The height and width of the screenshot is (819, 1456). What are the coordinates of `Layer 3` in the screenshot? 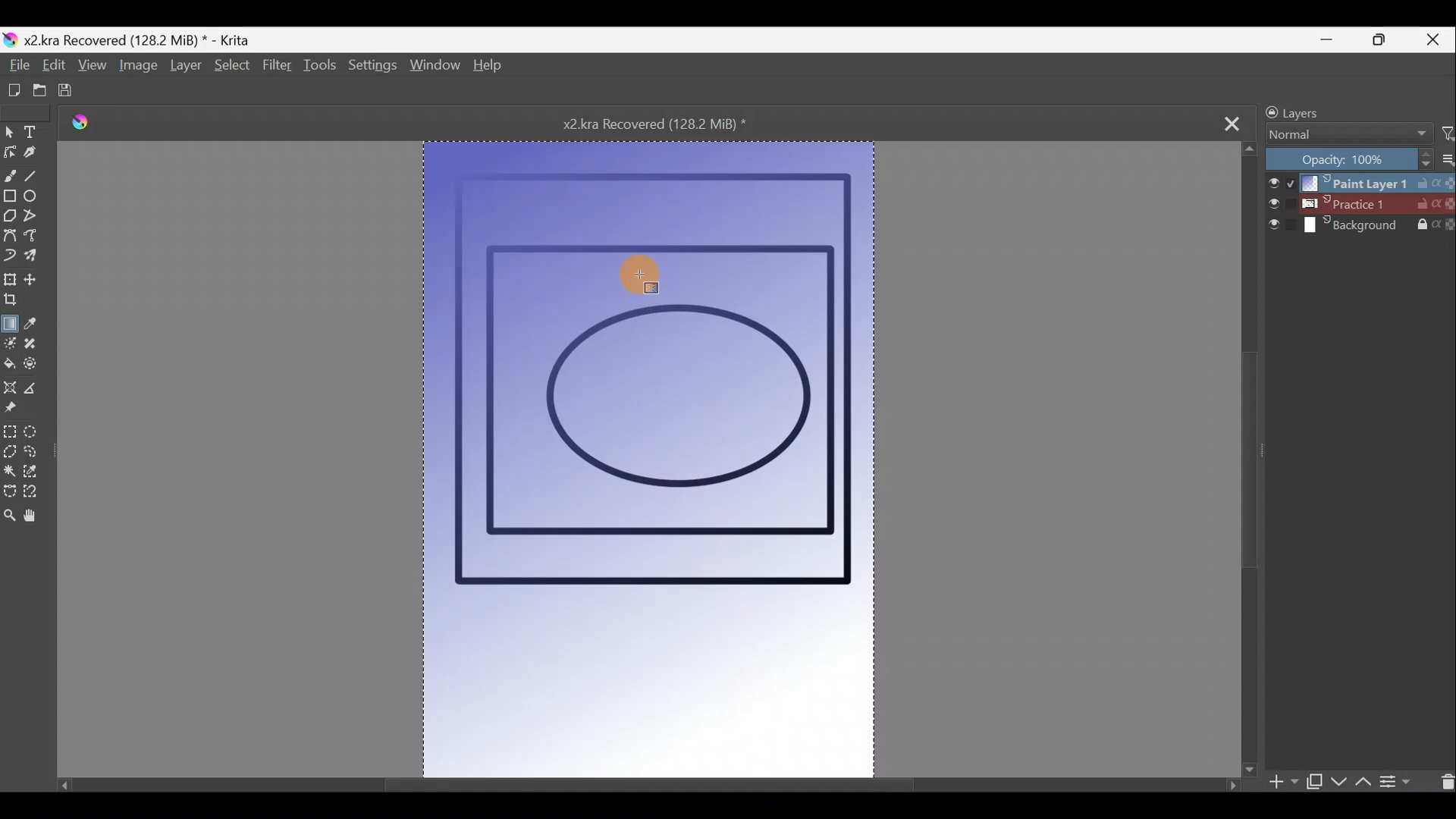 It's located at (1360, 227).